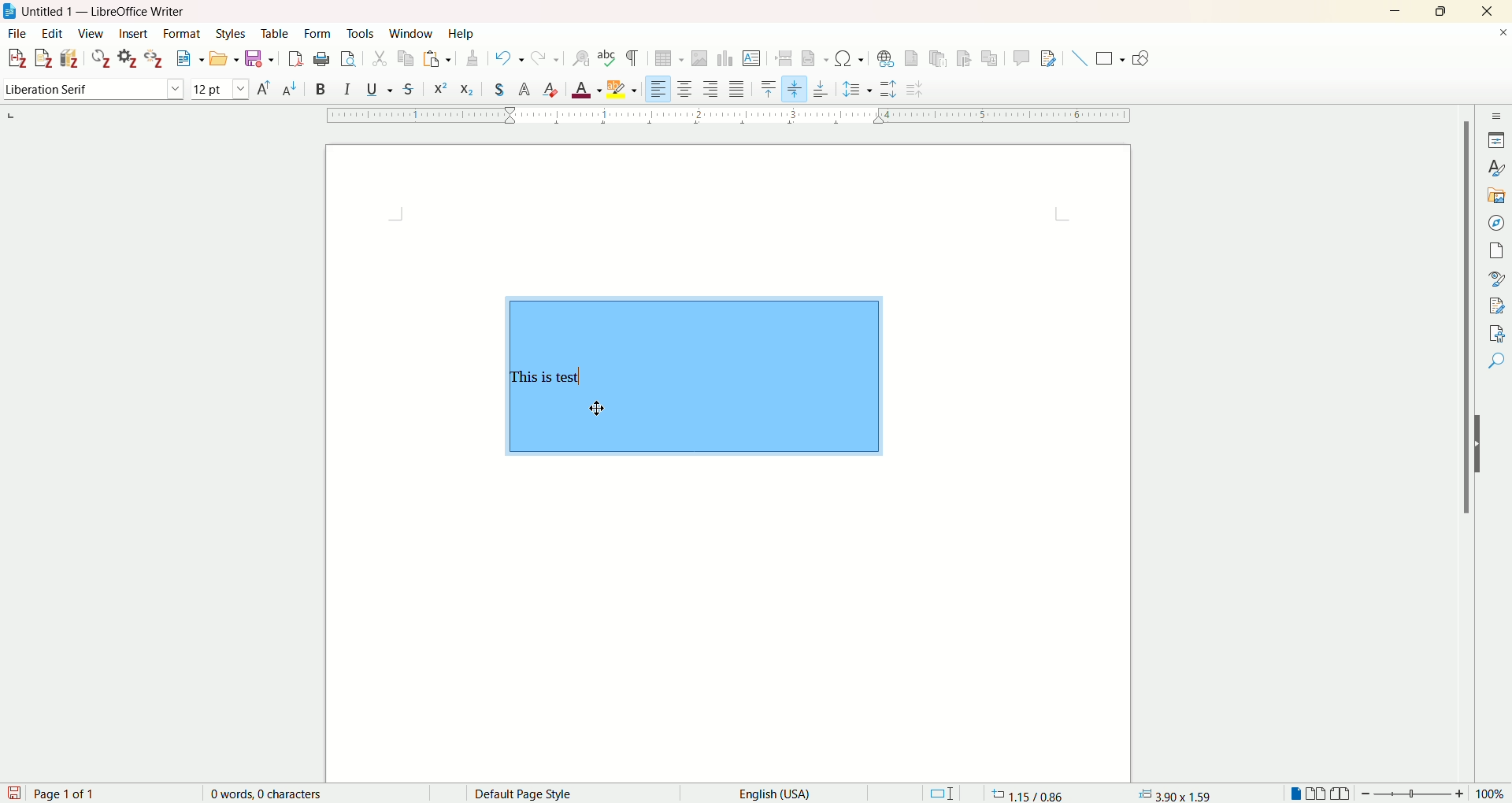  Describe the element at coordinates (913, 58) in the screenshot. I see `insert footnote` at that location.